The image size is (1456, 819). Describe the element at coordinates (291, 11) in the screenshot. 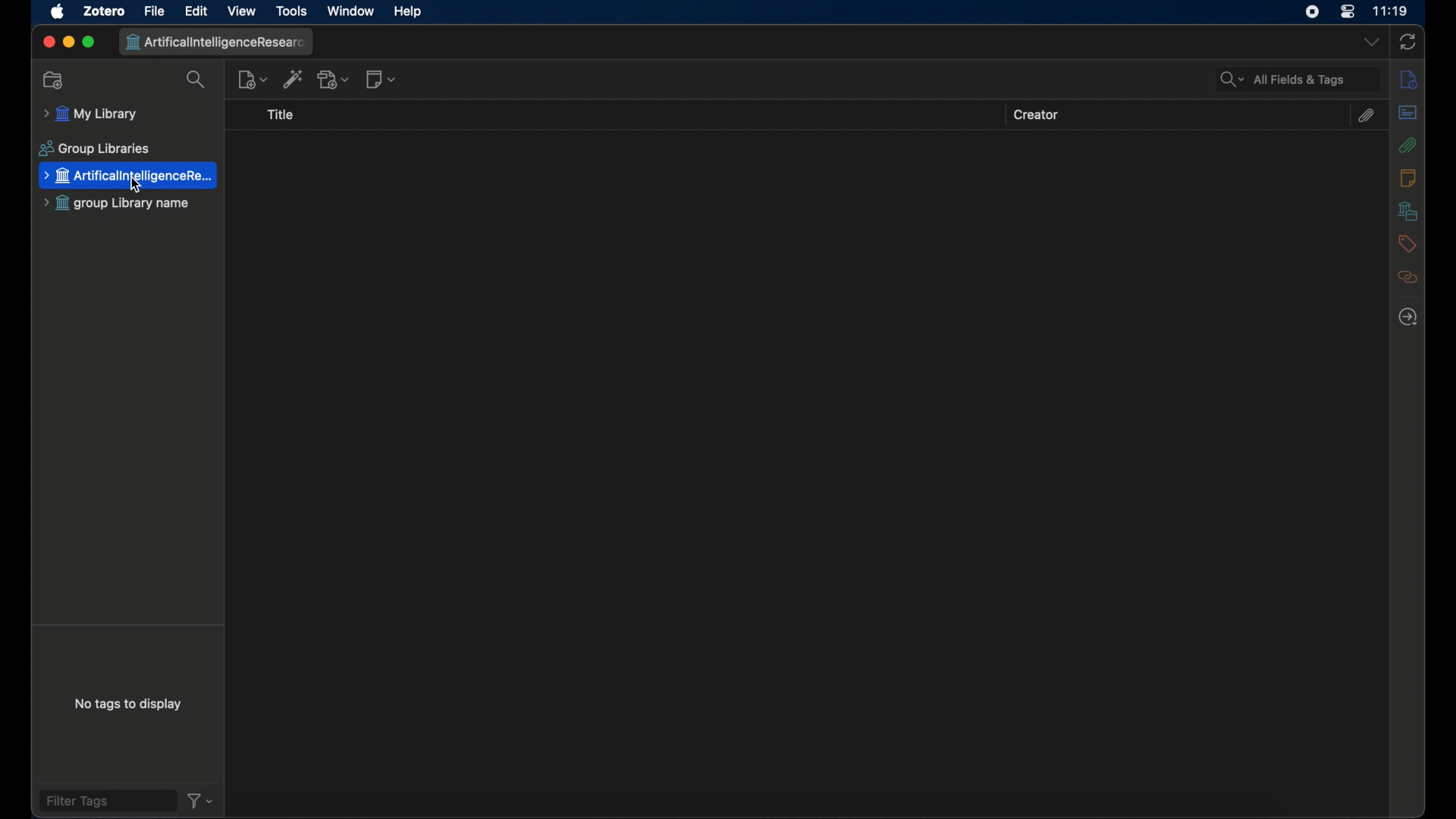

I see `tools` at that location.